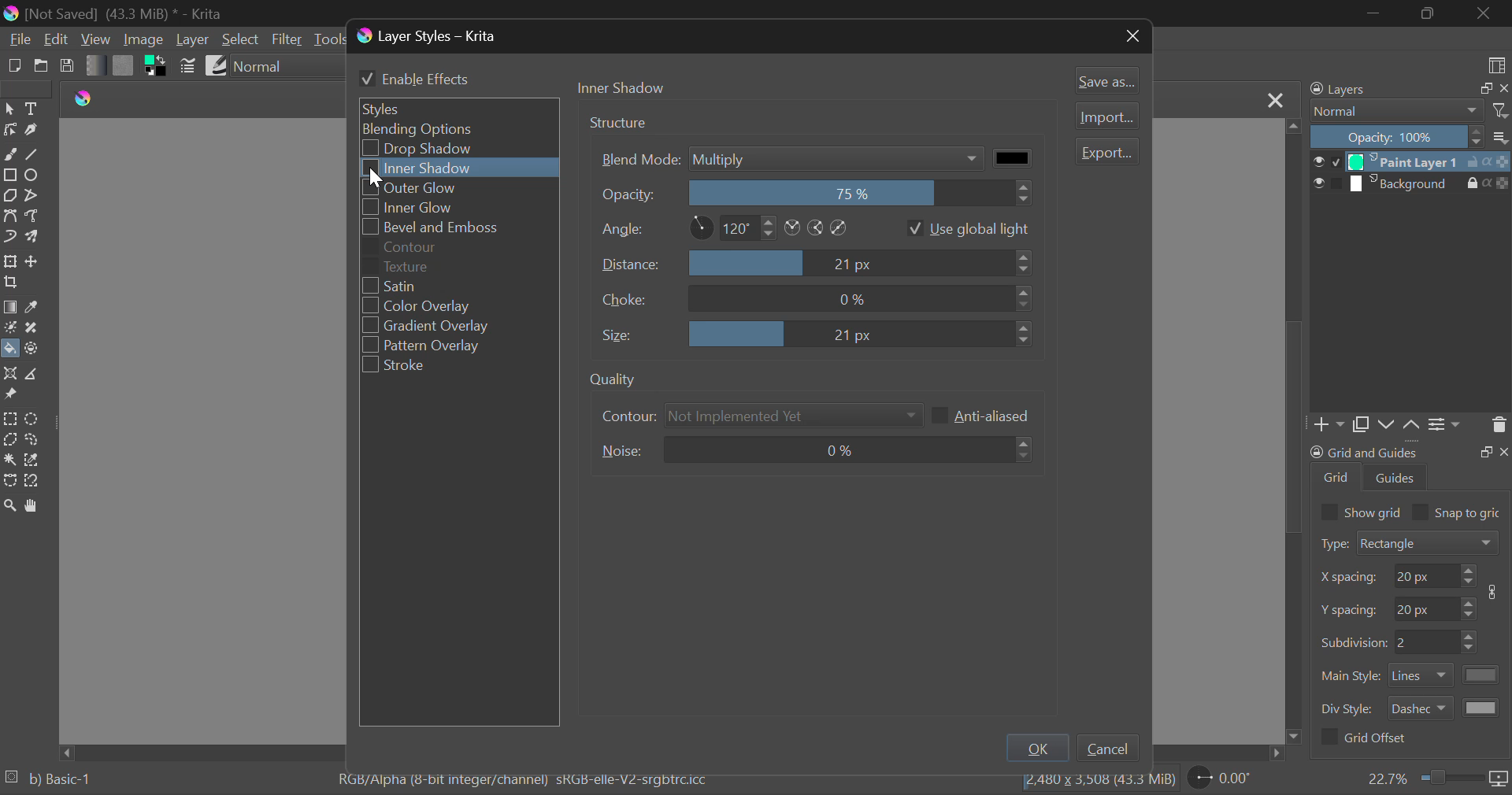 Image resolution: width=1512 pixels, height=795 pixels. Describe the element at coordinates (1410, 469) in the screenshot. I see `Grid and Guides Docker Tab` at that location.